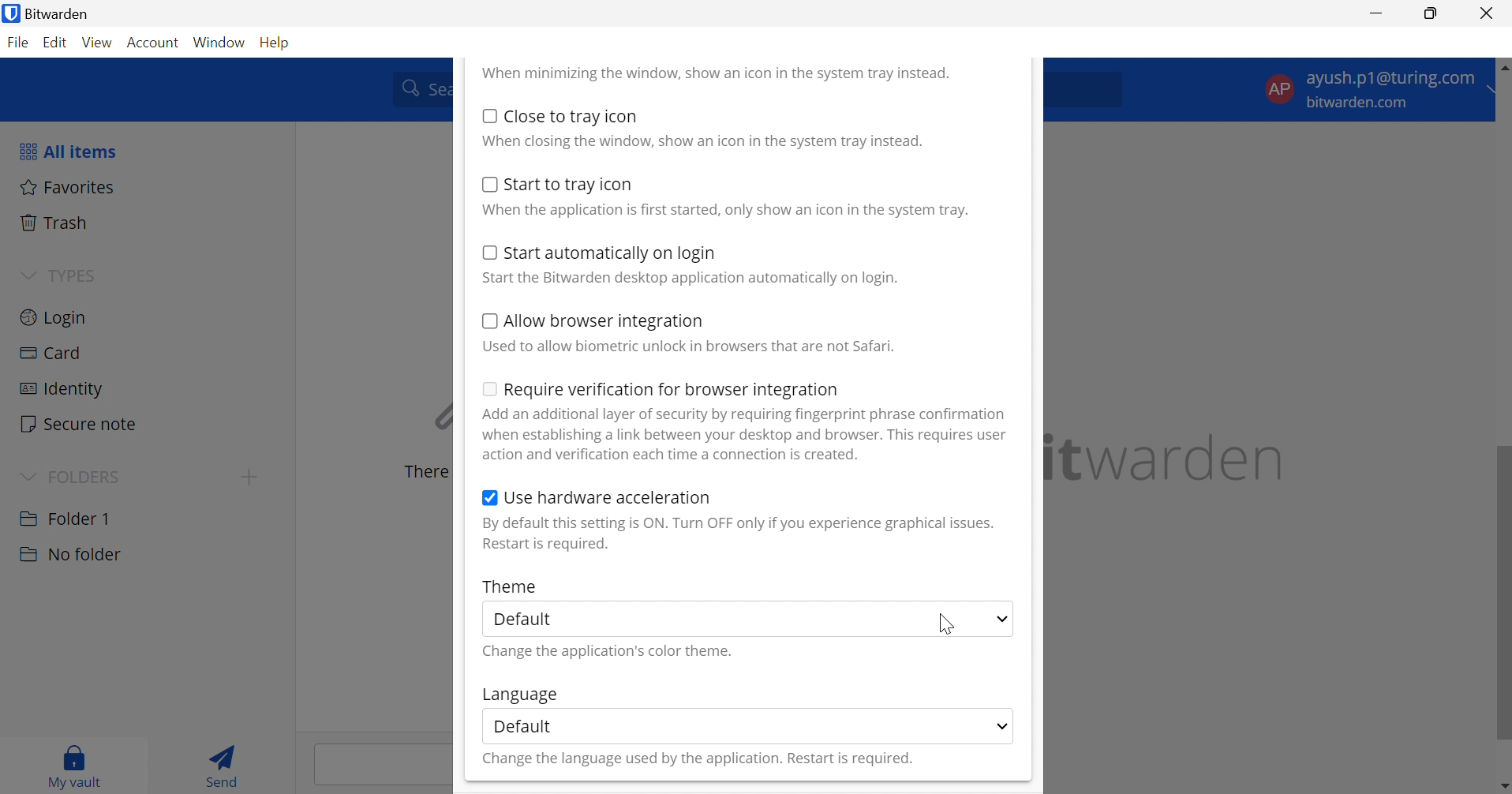 This screenshot has width=1512, height=794. What do you see at coordinates (489, 115) in the screenshot?
I see `Checkbox` at bounding box center [489, 115].